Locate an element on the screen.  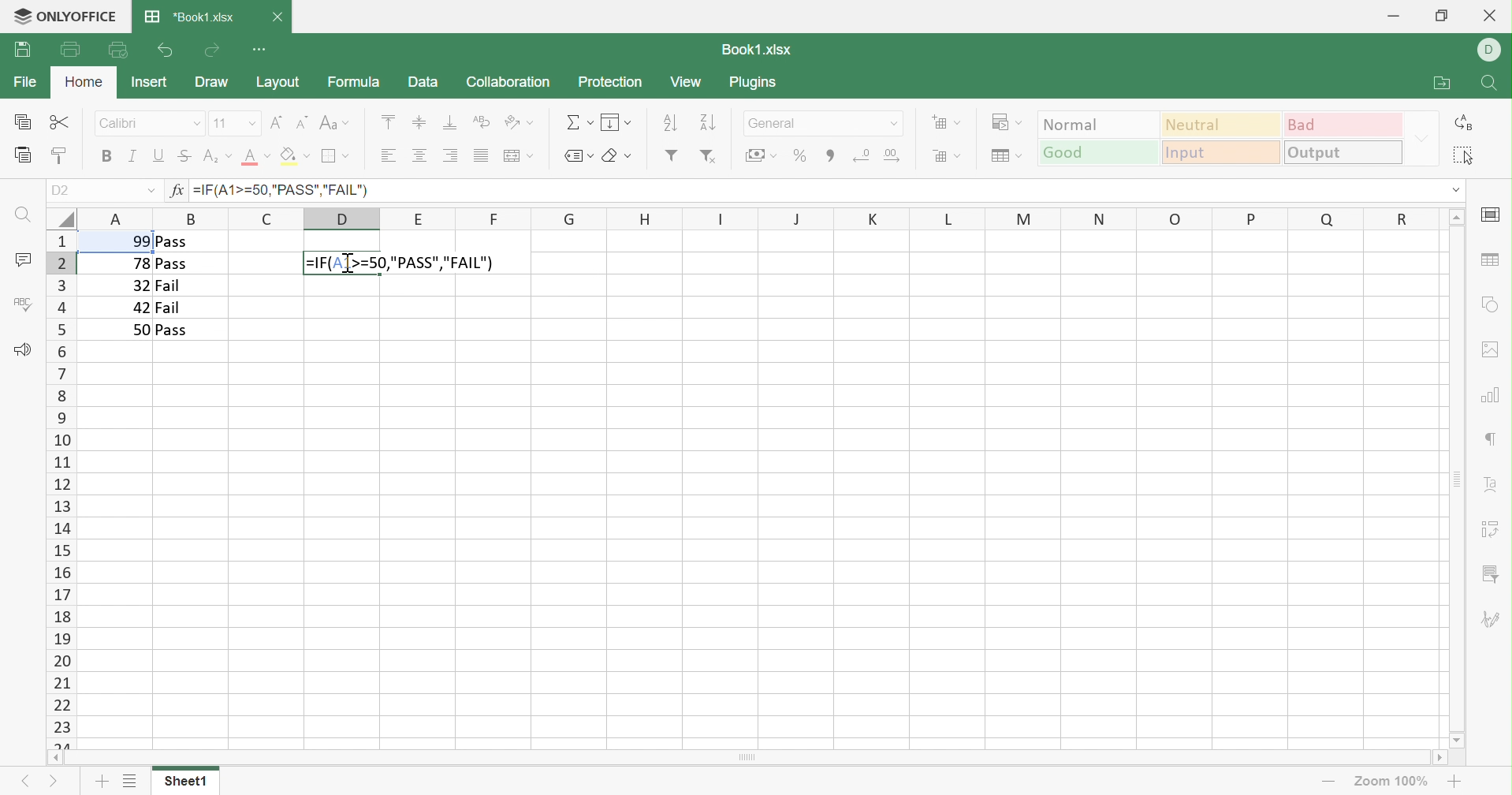
Add sheet is located at coordinates (102, 783).